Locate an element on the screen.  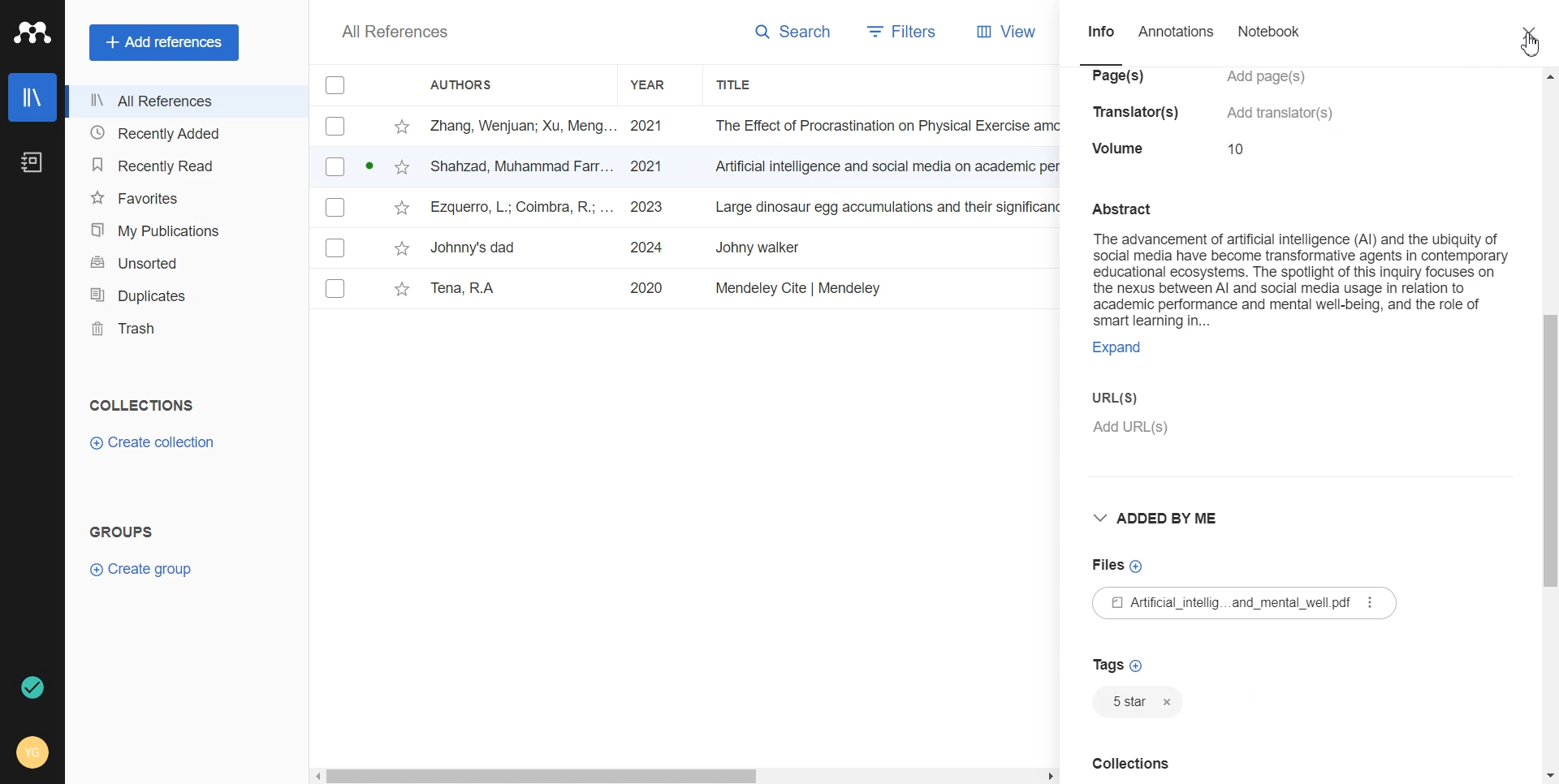
Cursor is located at coordinates (1531, 44).